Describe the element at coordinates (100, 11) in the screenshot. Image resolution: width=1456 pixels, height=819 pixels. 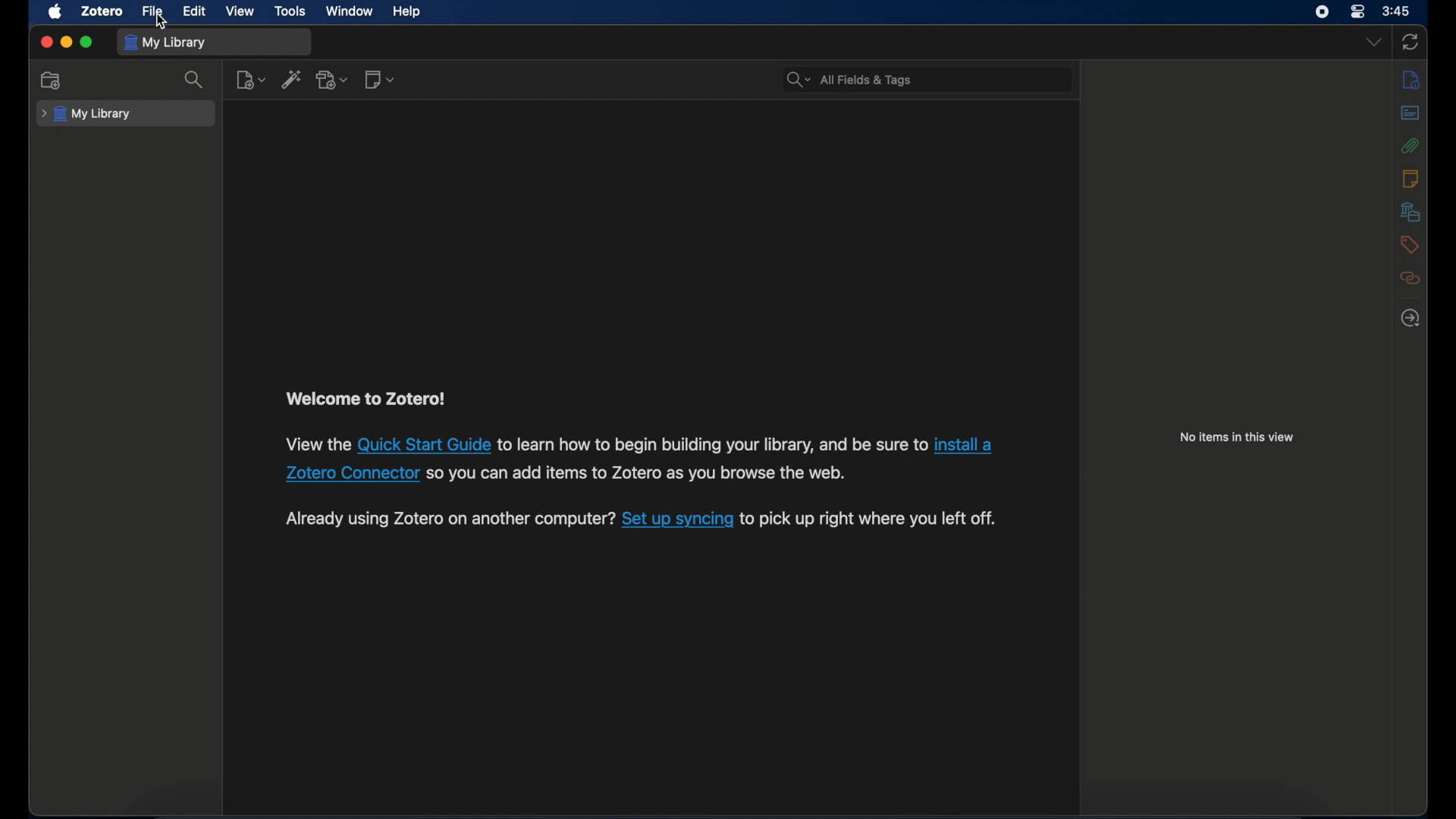
I see `zotero` at that location.